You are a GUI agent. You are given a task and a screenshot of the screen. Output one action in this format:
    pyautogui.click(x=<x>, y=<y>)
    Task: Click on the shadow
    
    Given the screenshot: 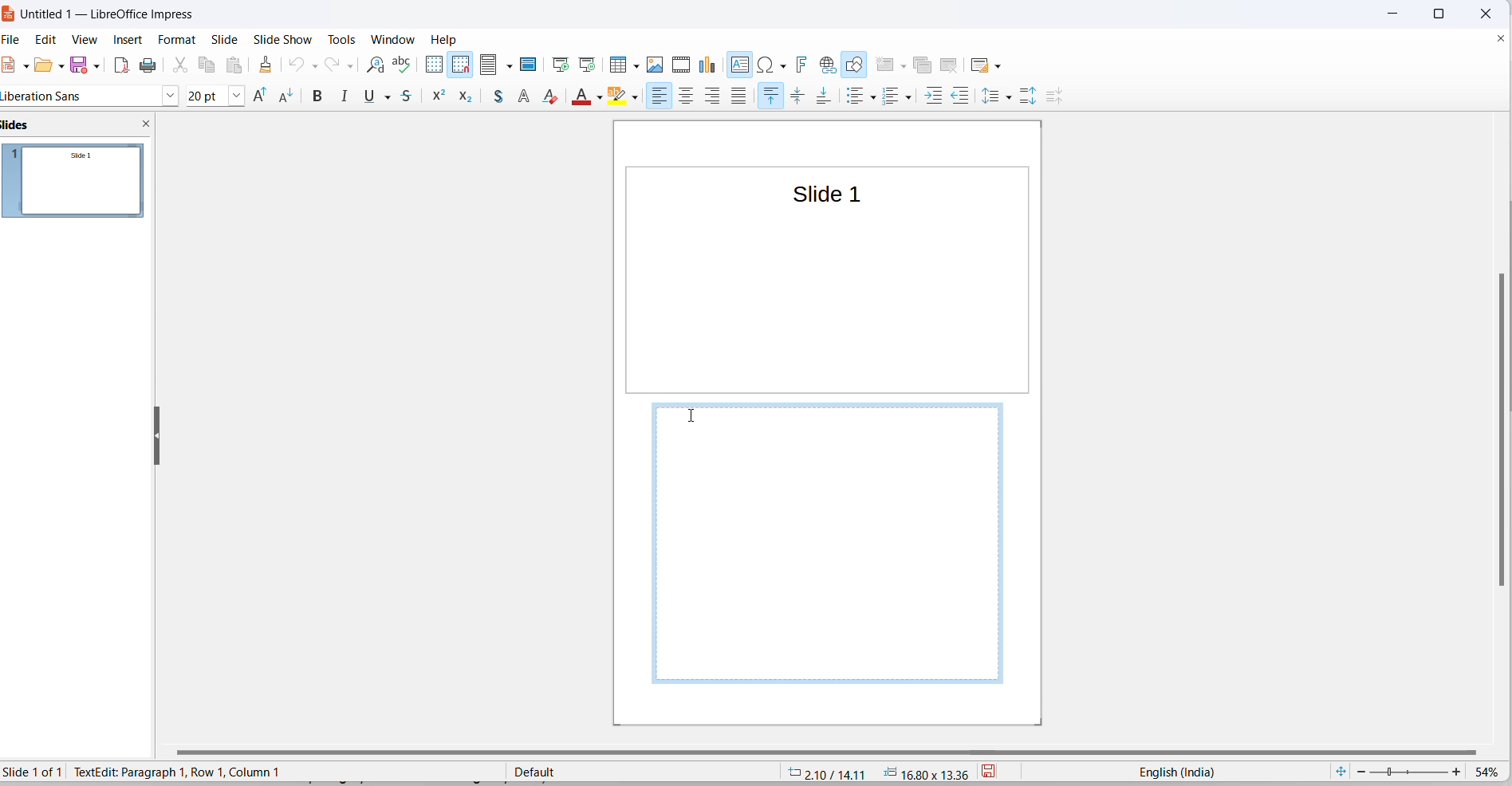 What is the action you would take?
    pyautogui.click(x=730, y=96)
    